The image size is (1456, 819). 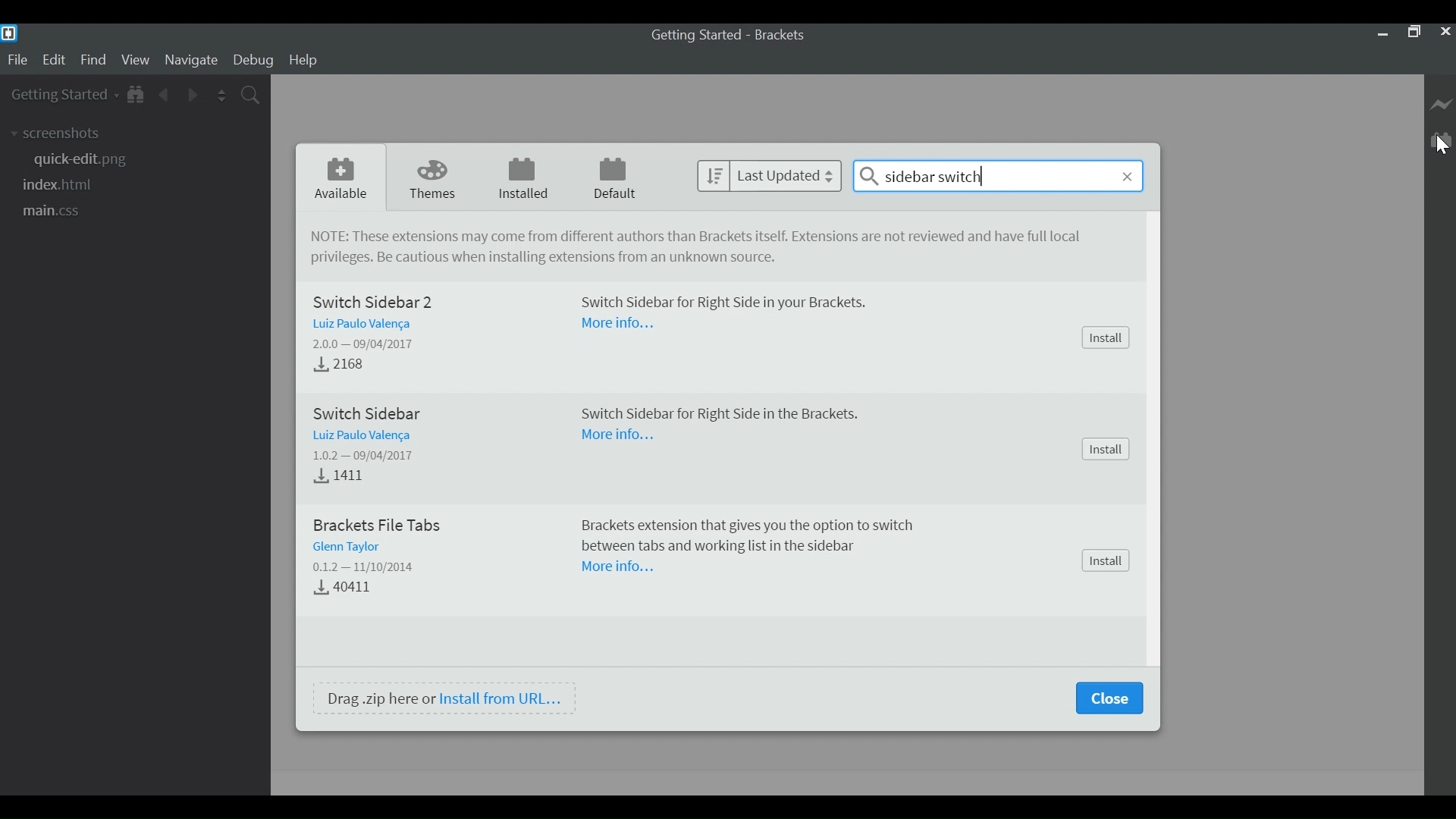 I want to click on Themes, so click(x=428, y=177).